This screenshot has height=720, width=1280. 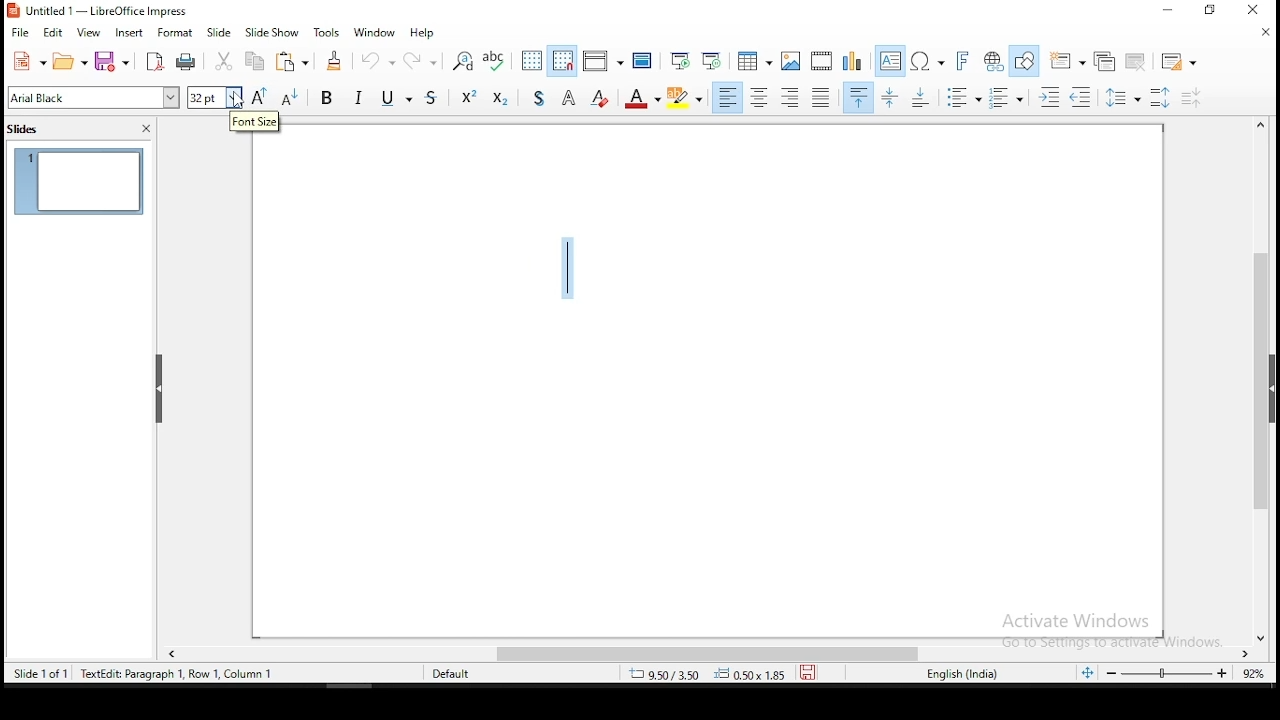 I want to click on Decrease font, so click(x=287, y=97).